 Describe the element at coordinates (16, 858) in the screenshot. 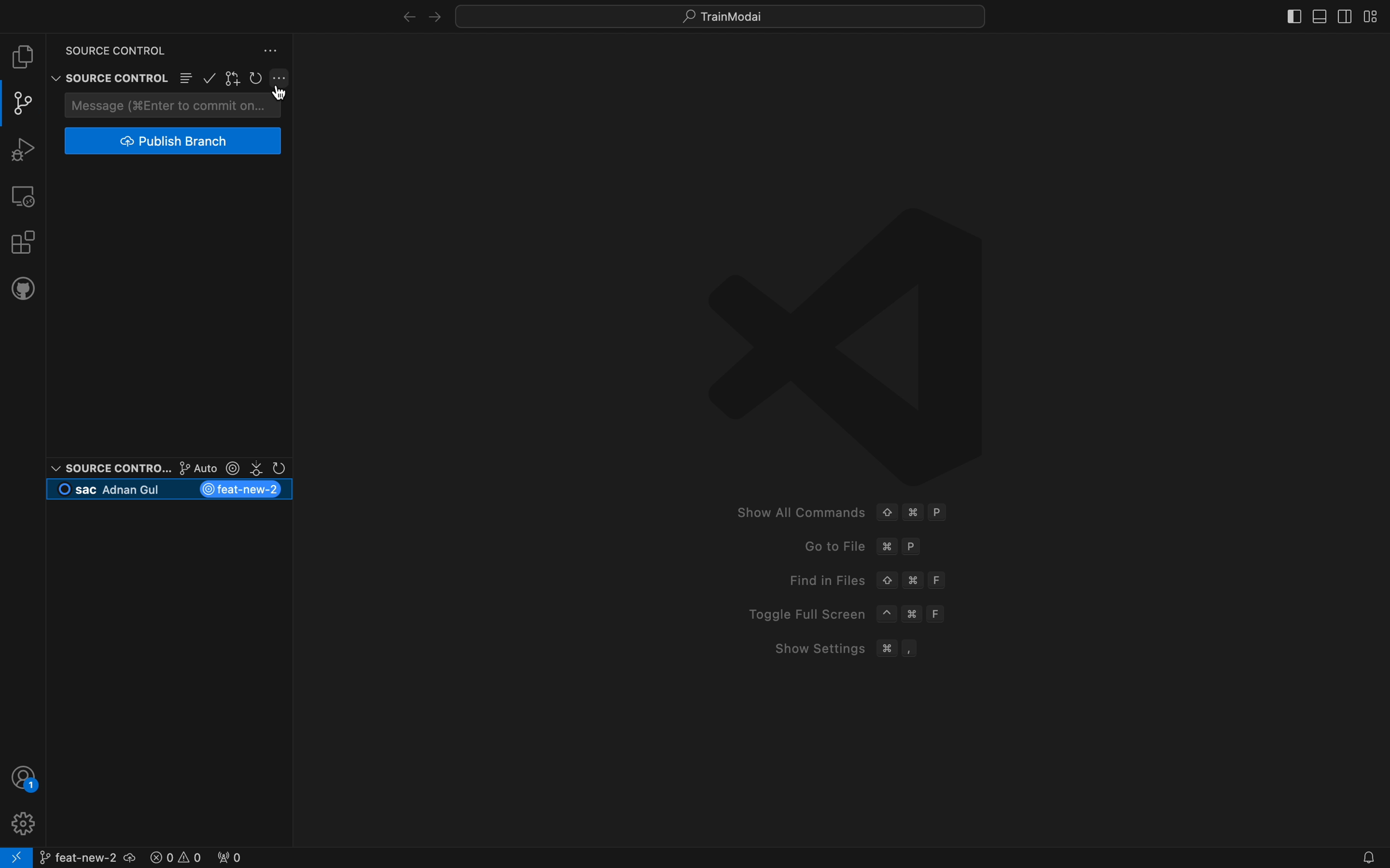

I see `remote connect` at that location.